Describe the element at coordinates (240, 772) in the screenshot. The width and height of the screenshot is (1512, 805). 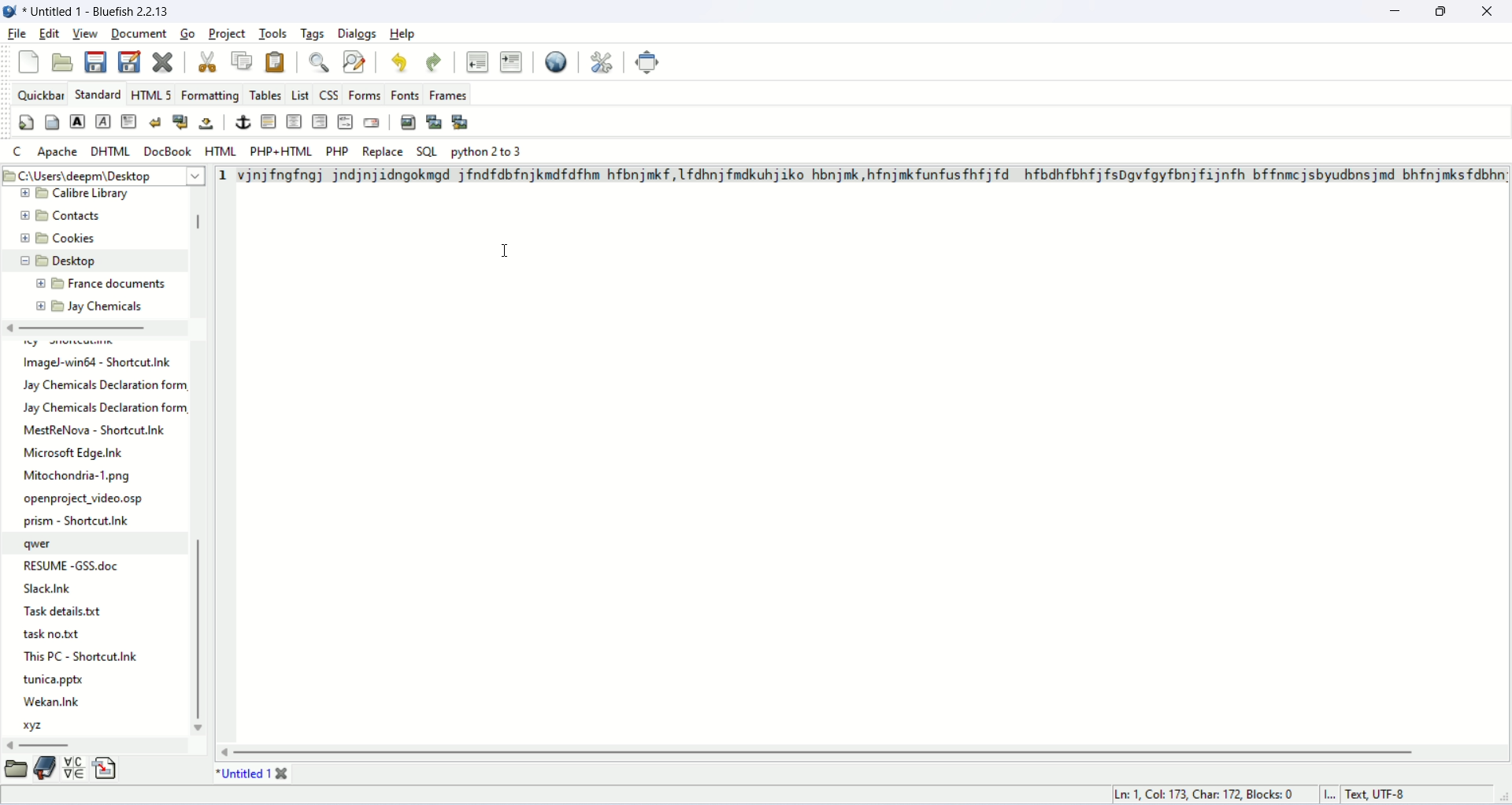
I see `title` at that location.